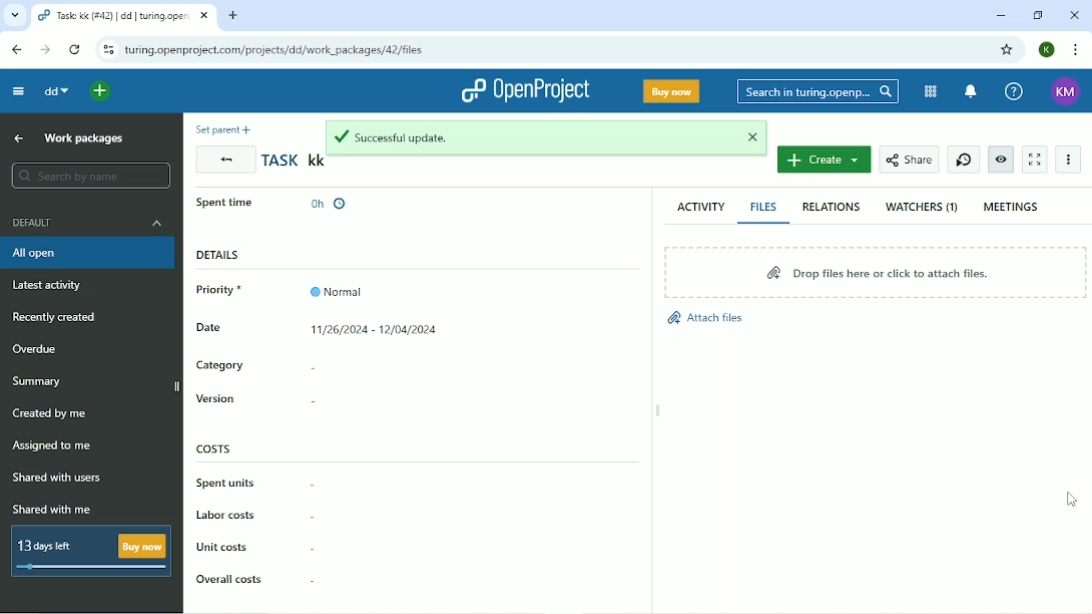 The width and height of the screenshot is (1092, 614). I want to click on Close, so click(1076, 15).